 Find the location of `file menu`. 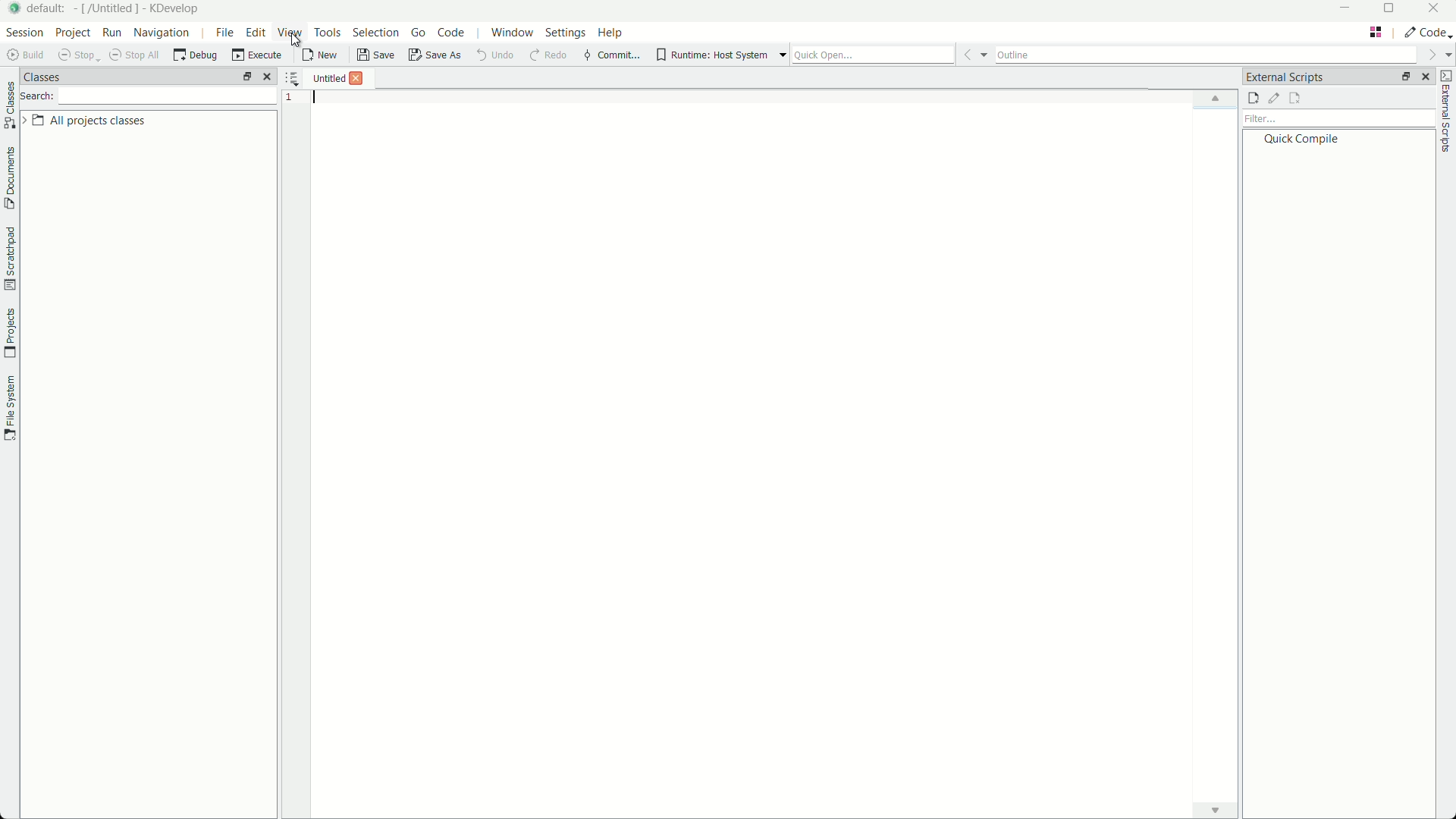

file menu is located at coordinates (224, 31).